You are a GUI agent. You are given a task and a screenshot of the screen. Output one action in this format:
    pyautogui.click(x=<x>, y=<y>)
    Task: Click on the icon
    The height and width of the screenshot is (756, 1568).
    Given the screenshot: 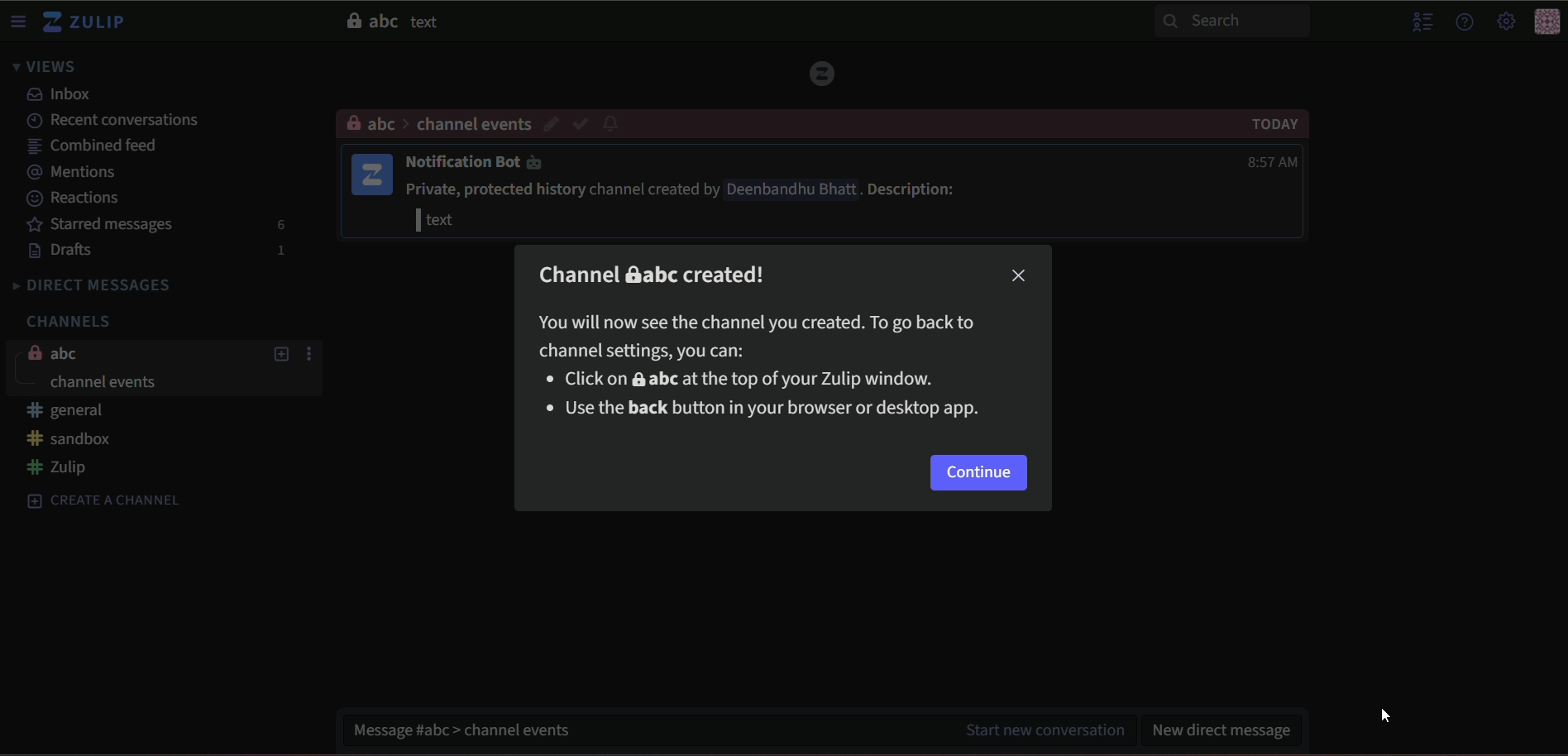 What is the action you would take?
    pyautogui.click(x=367, y=174)
    